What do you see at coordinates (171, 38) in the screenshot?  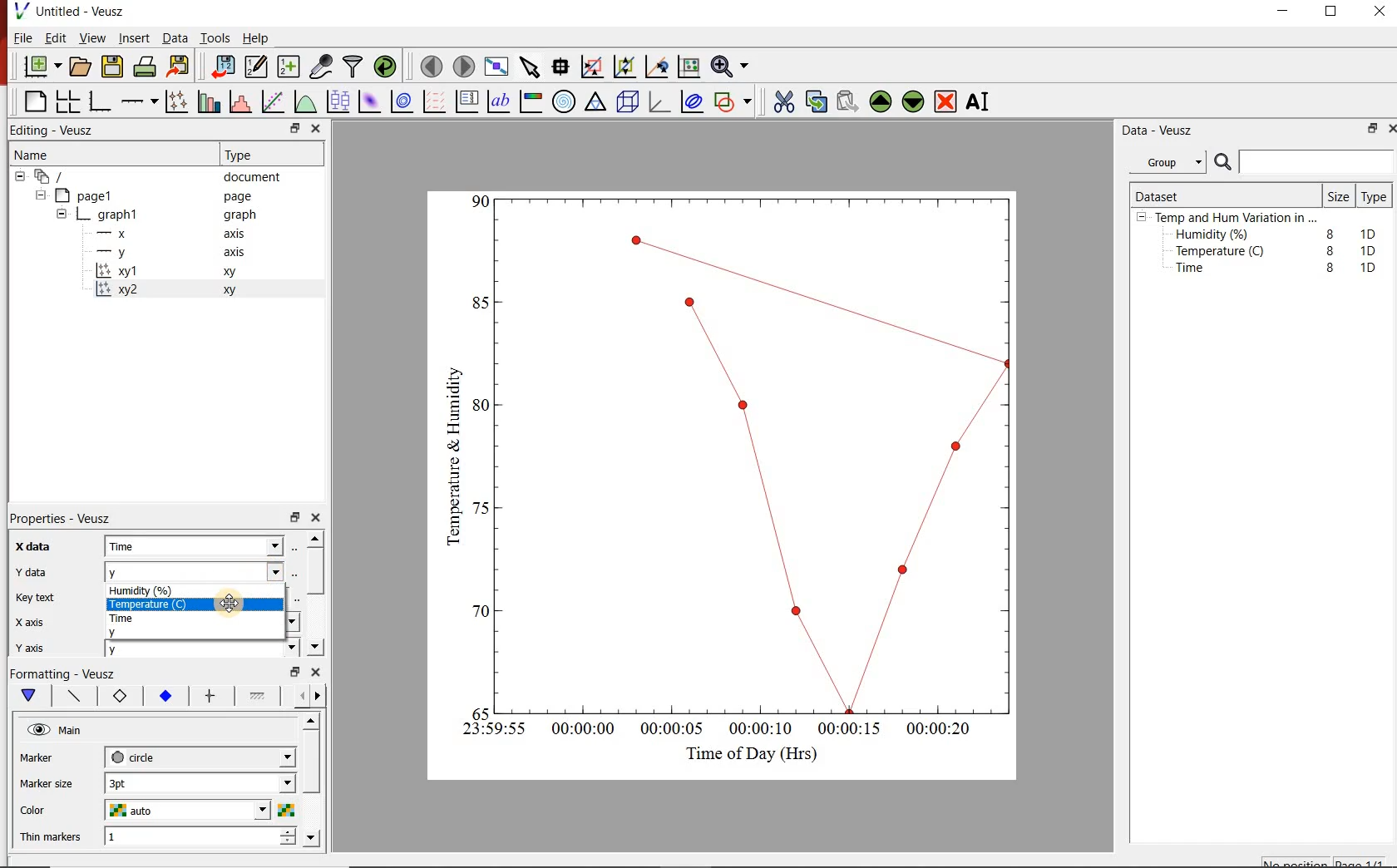 I see `Data` at bounding box center [171, 38].